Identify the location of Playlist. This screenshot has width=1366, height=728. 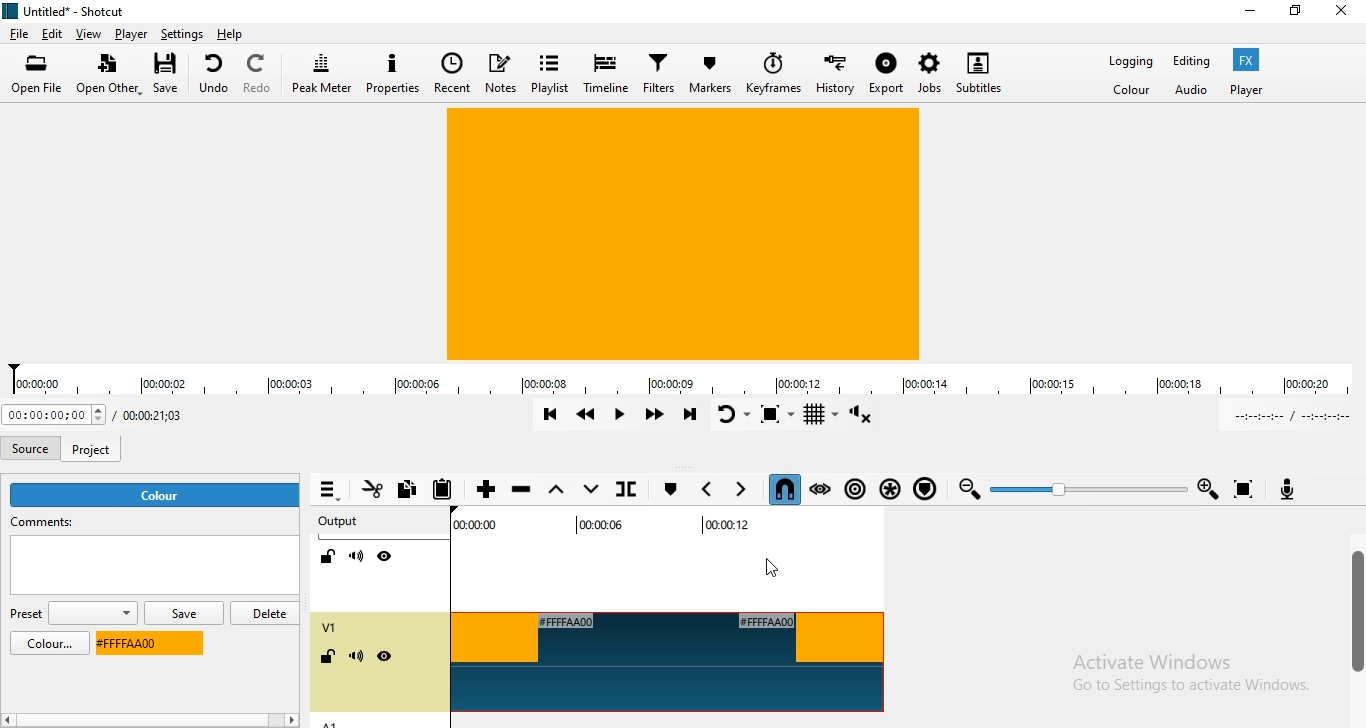
(549, 72).